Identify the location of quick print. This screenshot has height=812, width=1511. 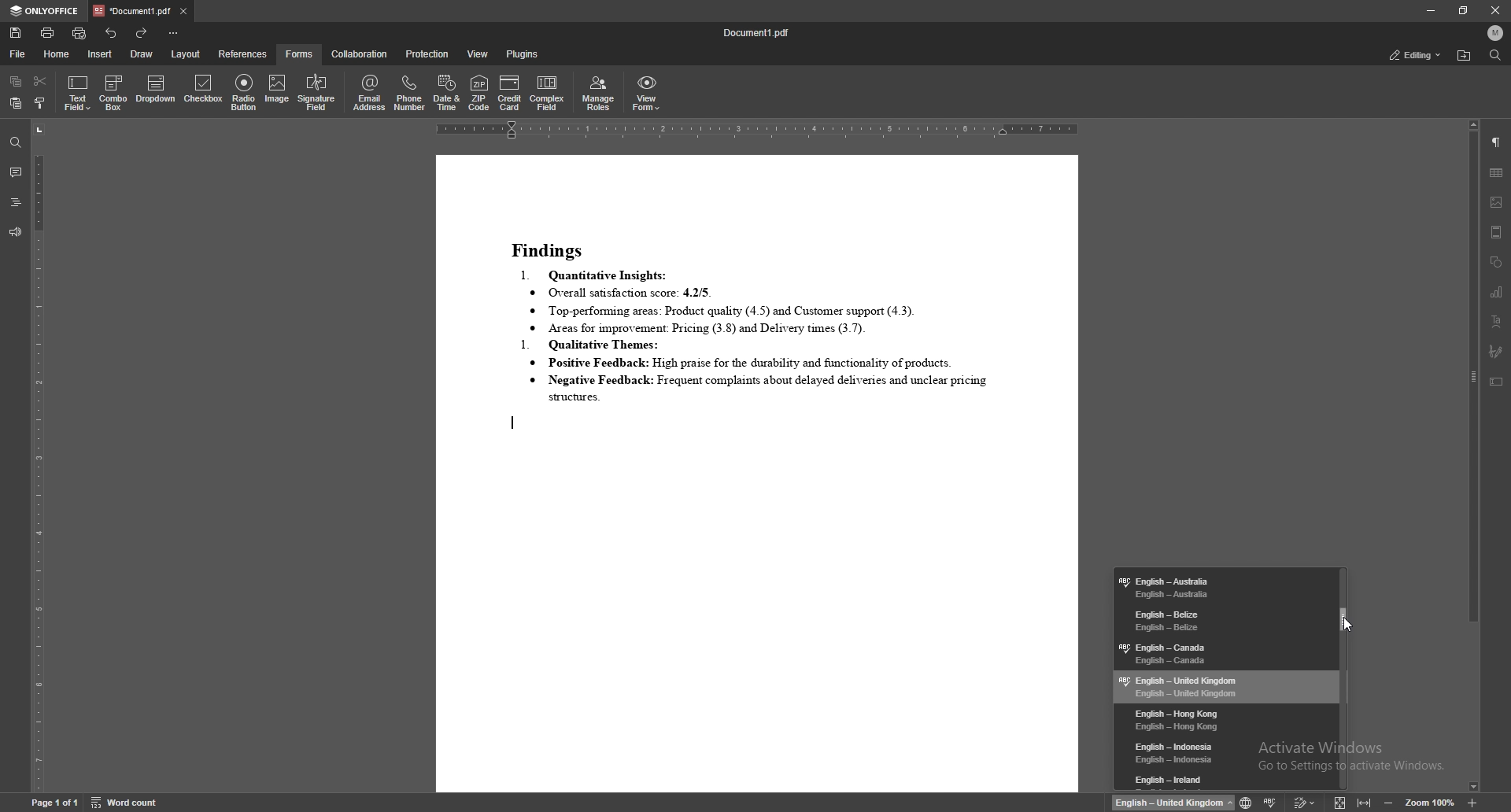
(80, 33).